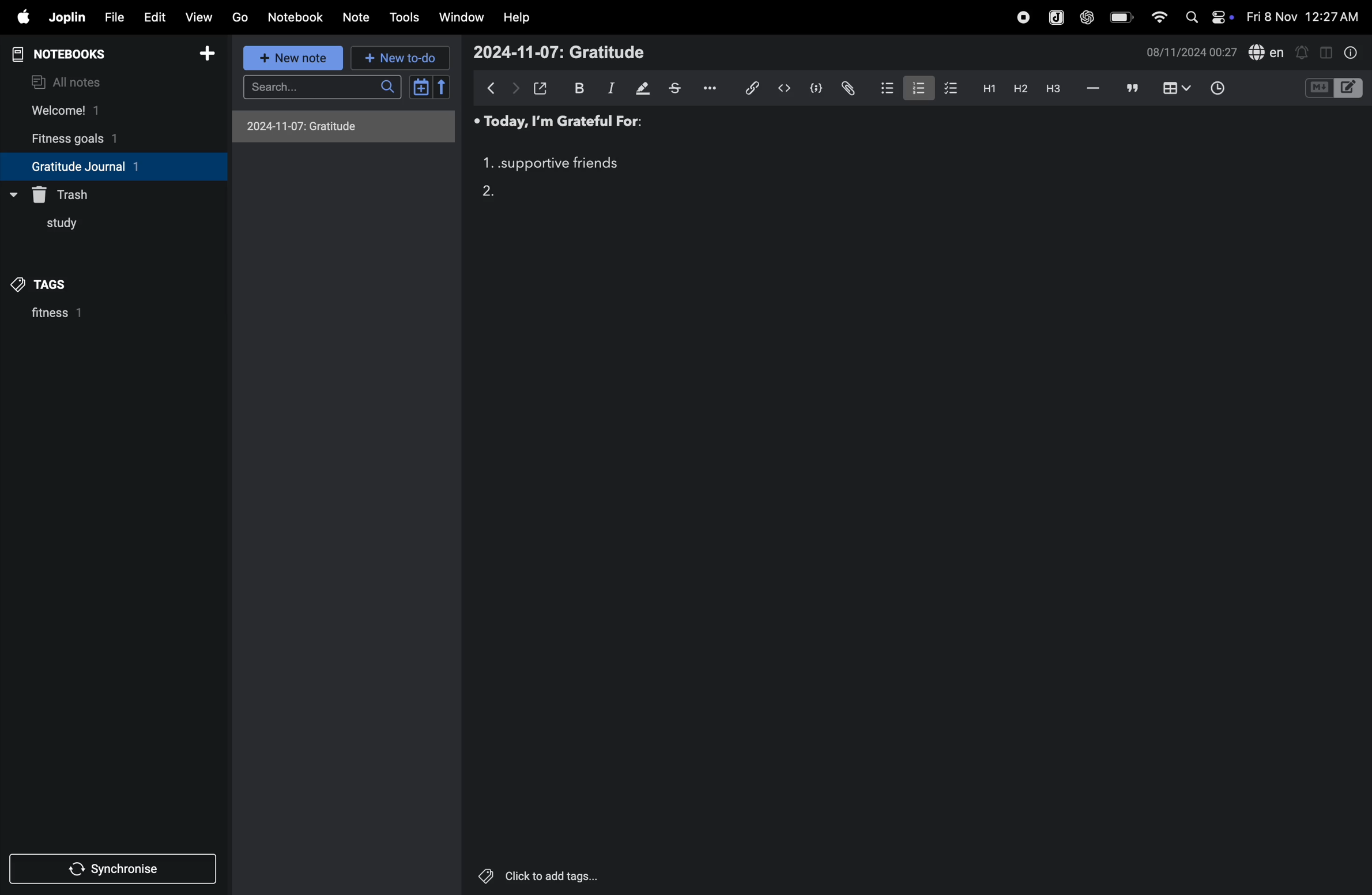  I want to click on 08/11/2024 00:27, so click(1189, 52).